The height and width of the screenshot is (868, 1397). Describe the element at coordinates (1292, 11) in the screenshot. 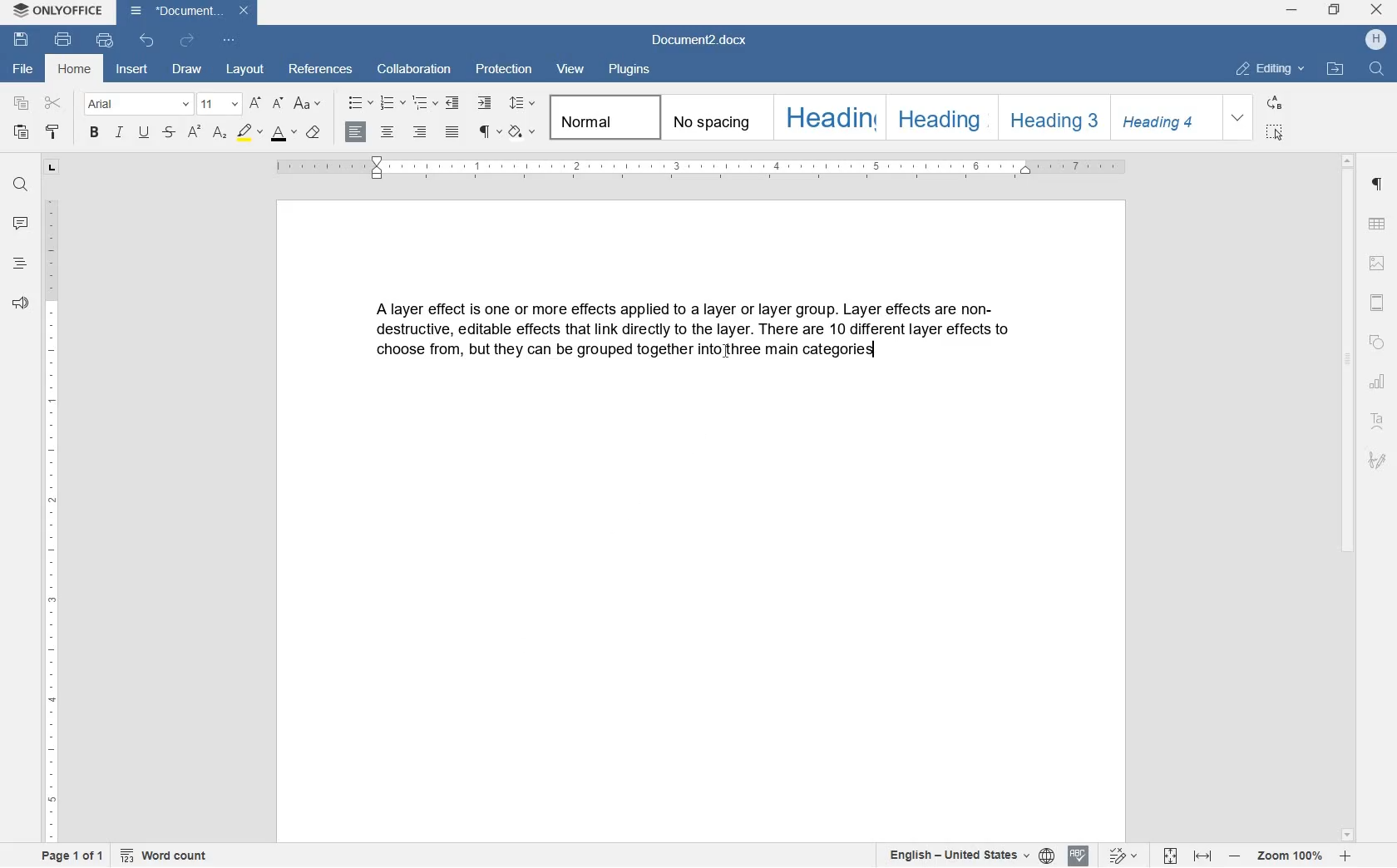

I see `minimize` at that location.